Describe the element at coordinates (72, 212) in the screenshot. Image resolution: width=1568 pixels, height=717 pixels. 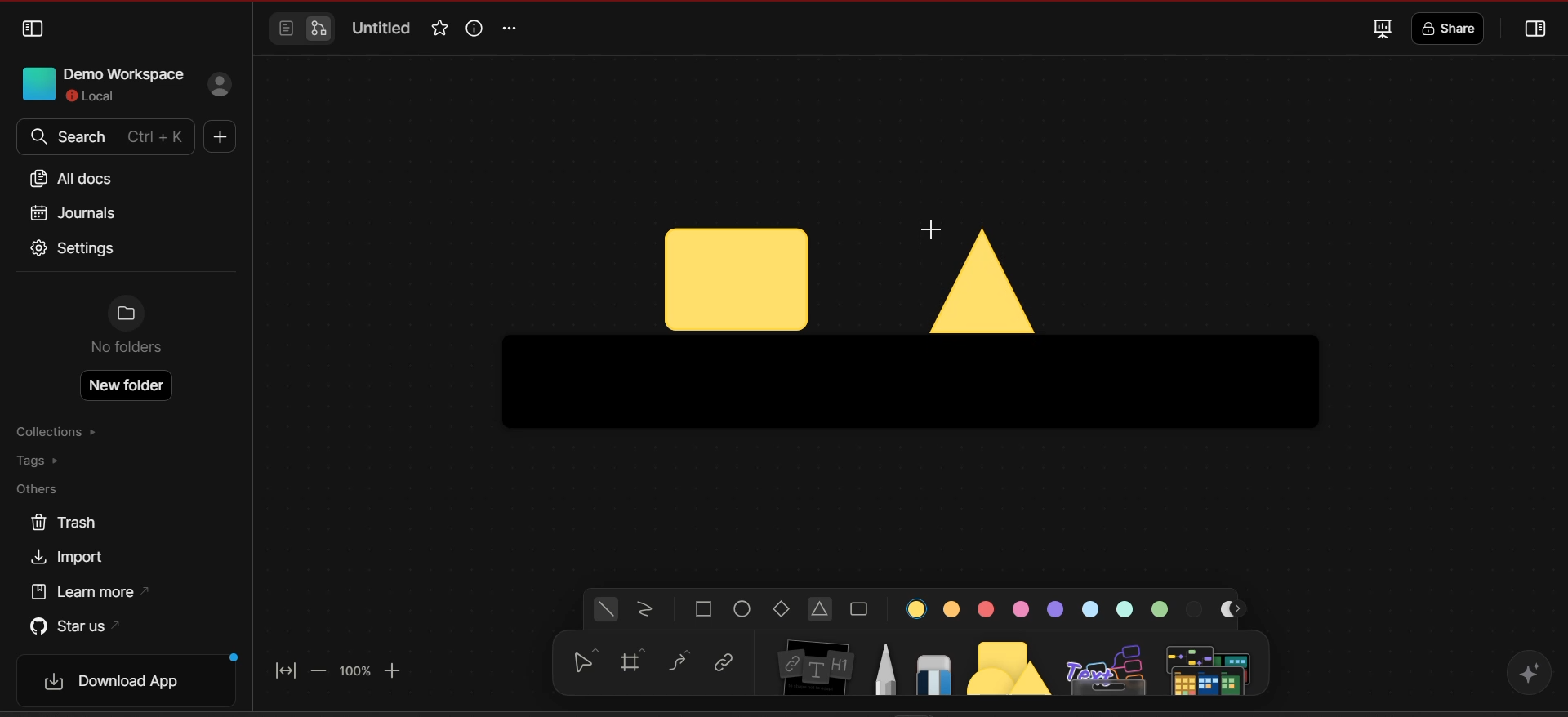
I see `journals` at that location.